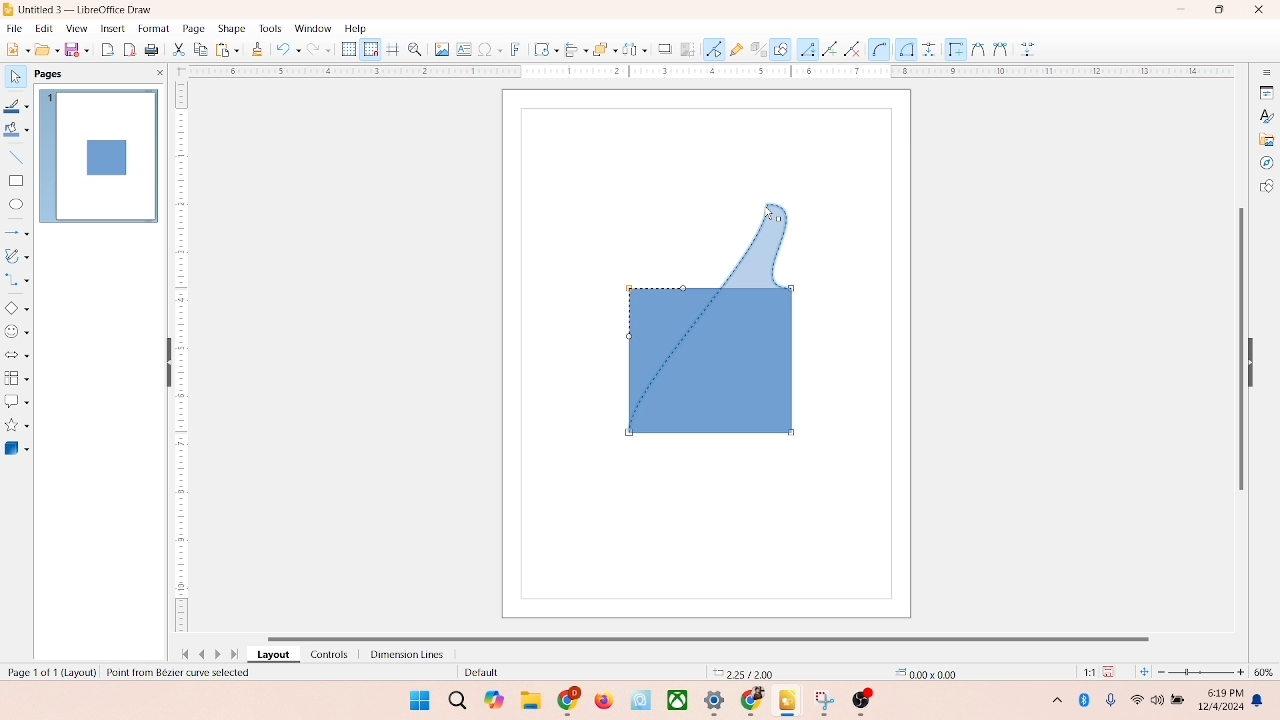 The image size is (1280, 720). Describe the element at coordinates (18, 254) in the screenshot. I see `curves and polygons` at that location.